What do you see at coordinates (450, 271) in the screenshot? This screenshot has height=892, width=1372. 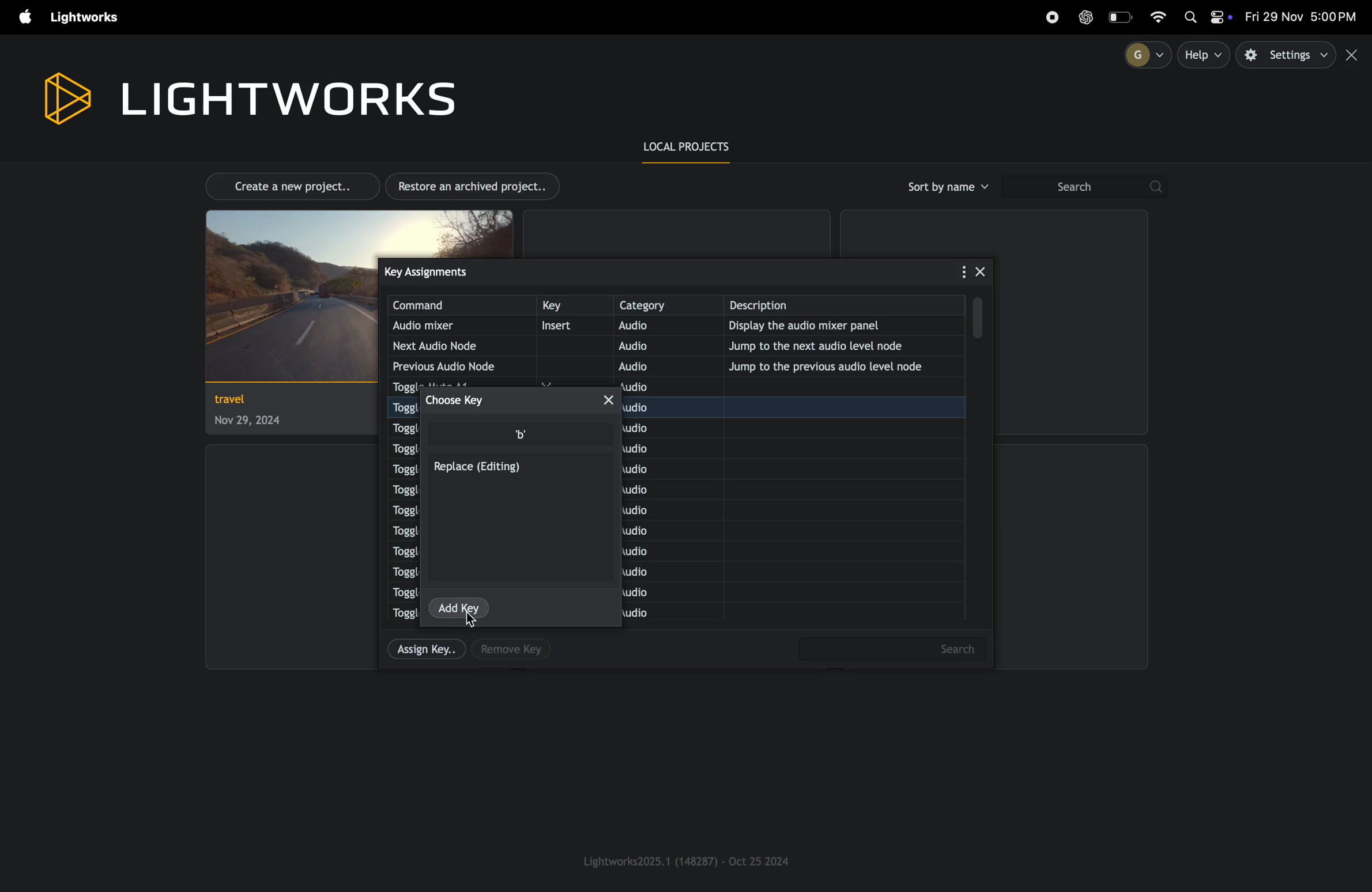 I see `key assignments` at bounding box center [450, 271].